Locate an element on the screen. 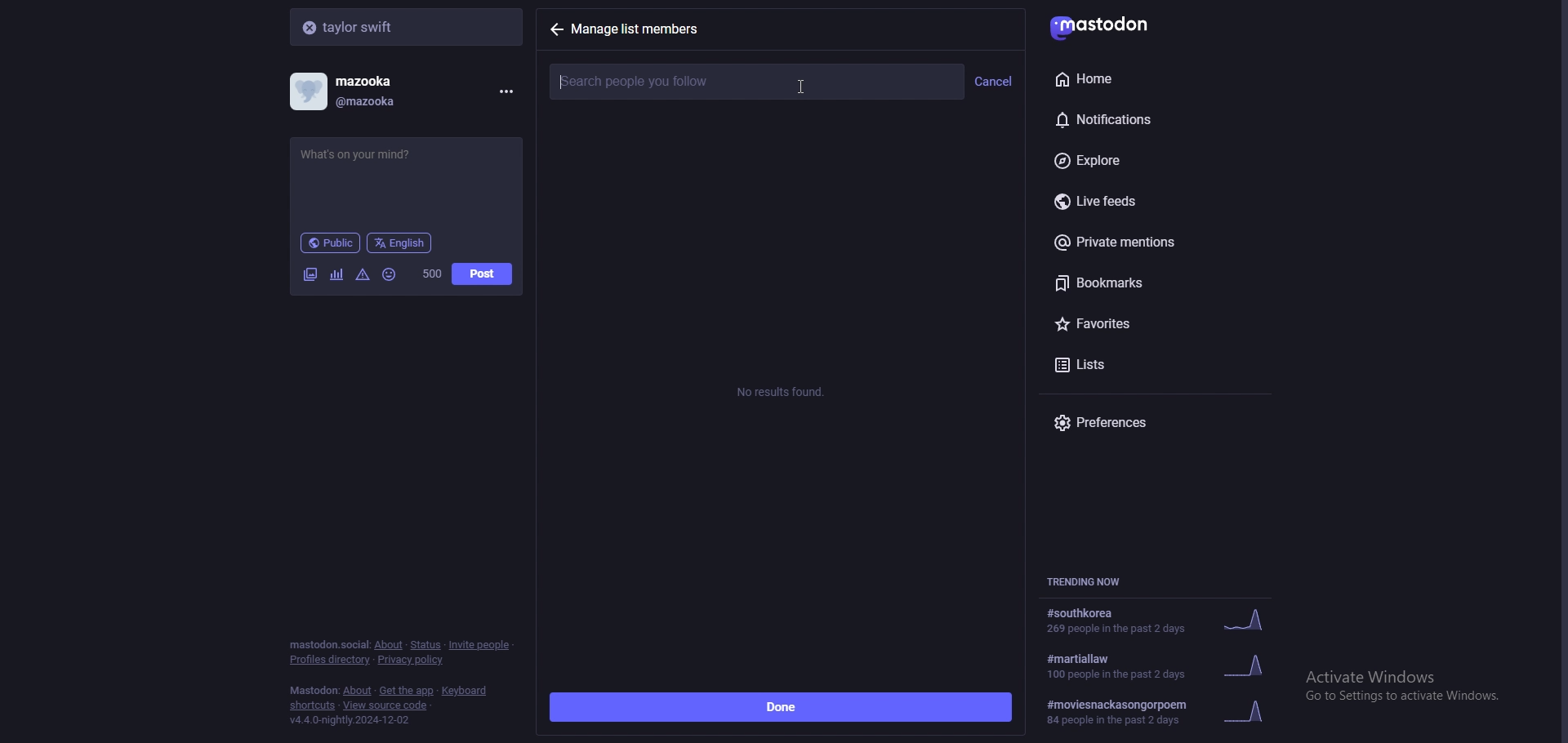  post is located at coordinates (482, 274).